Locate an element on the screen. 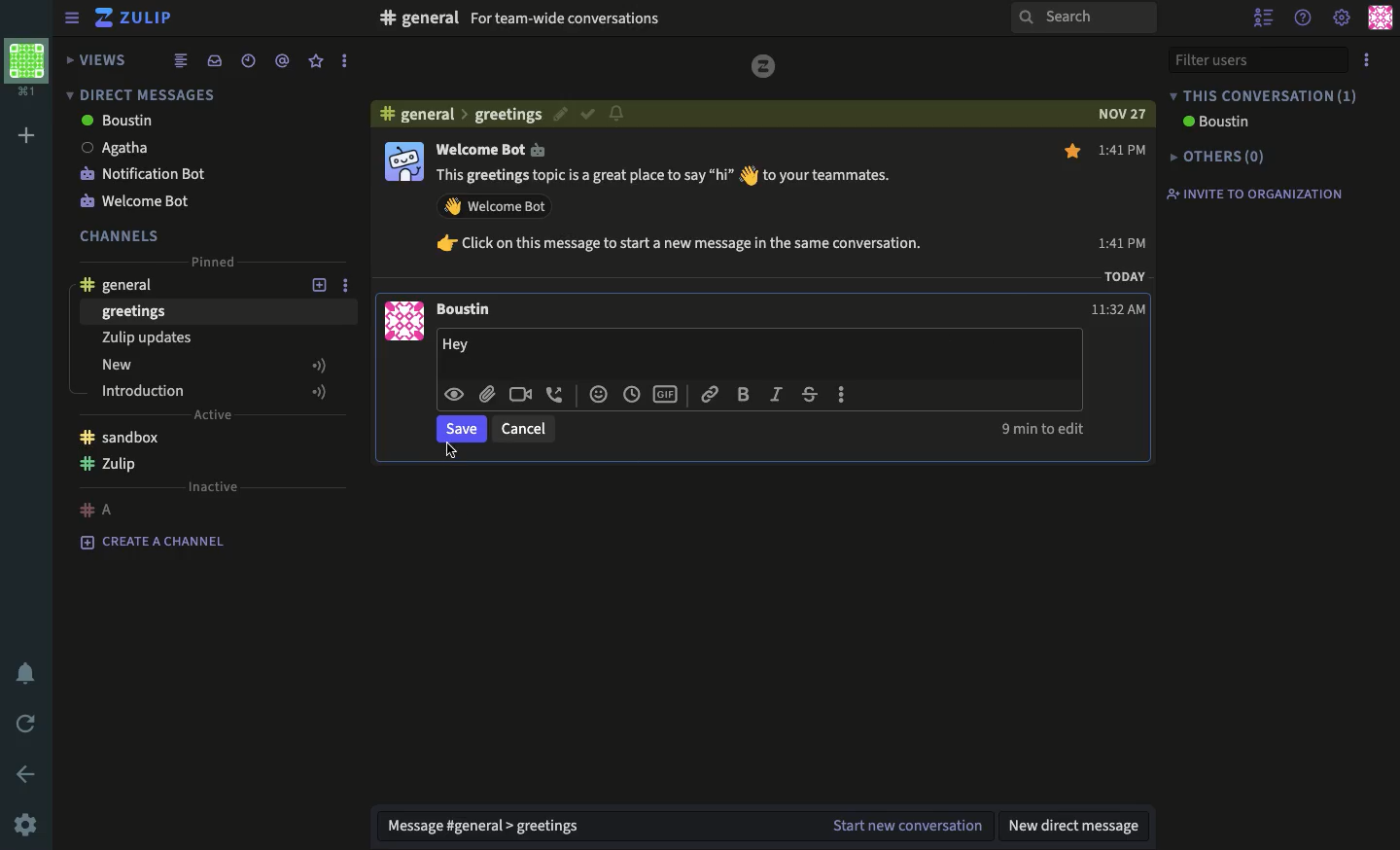 The image size is (1400, 850). notification is located at coordinates (24, 675).